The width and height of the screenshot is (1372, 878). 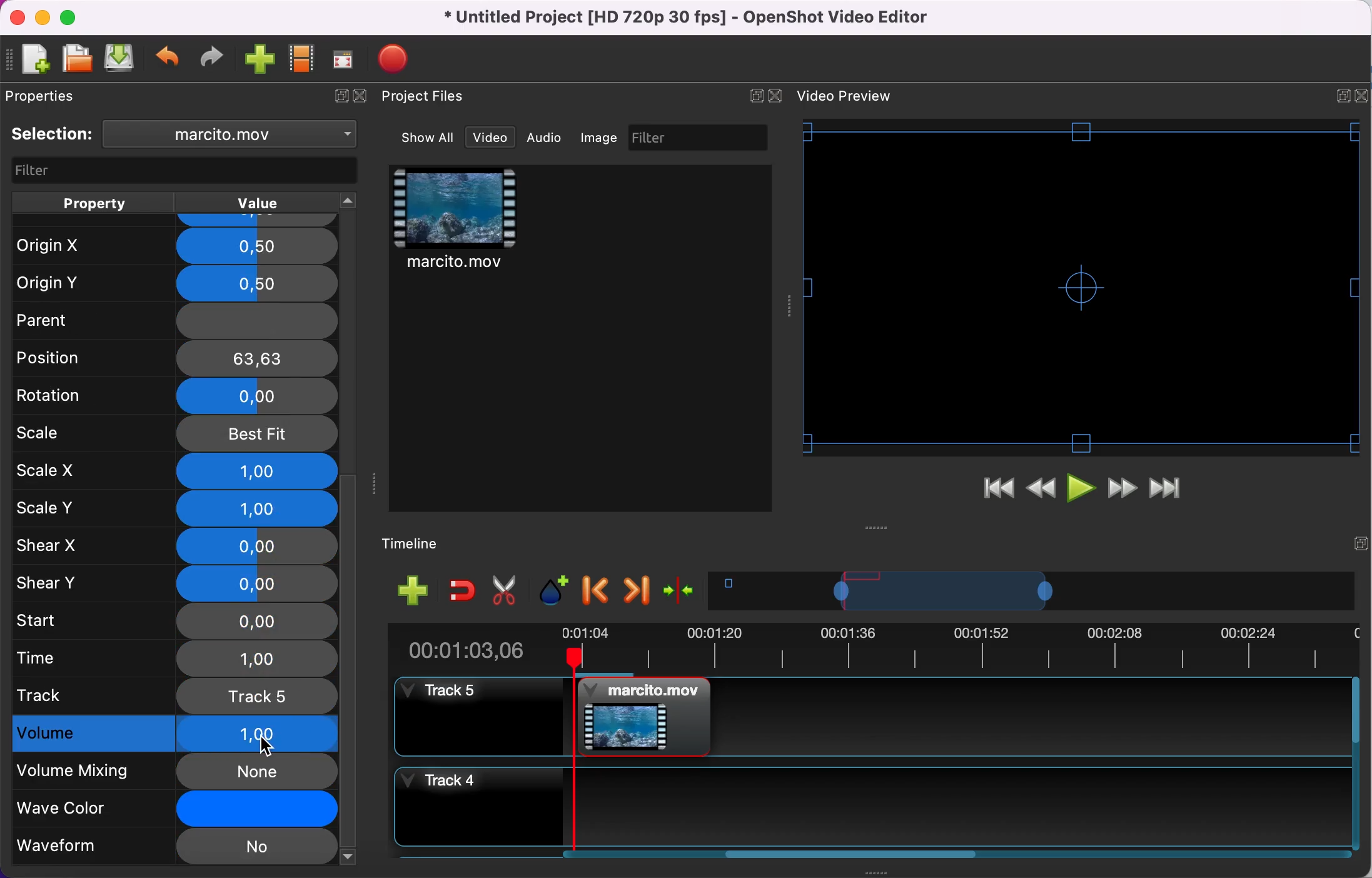 What do you see at coordinates (463, 589) in the screenshot?
I see `enable snapping` at bounding box center [463, 589].